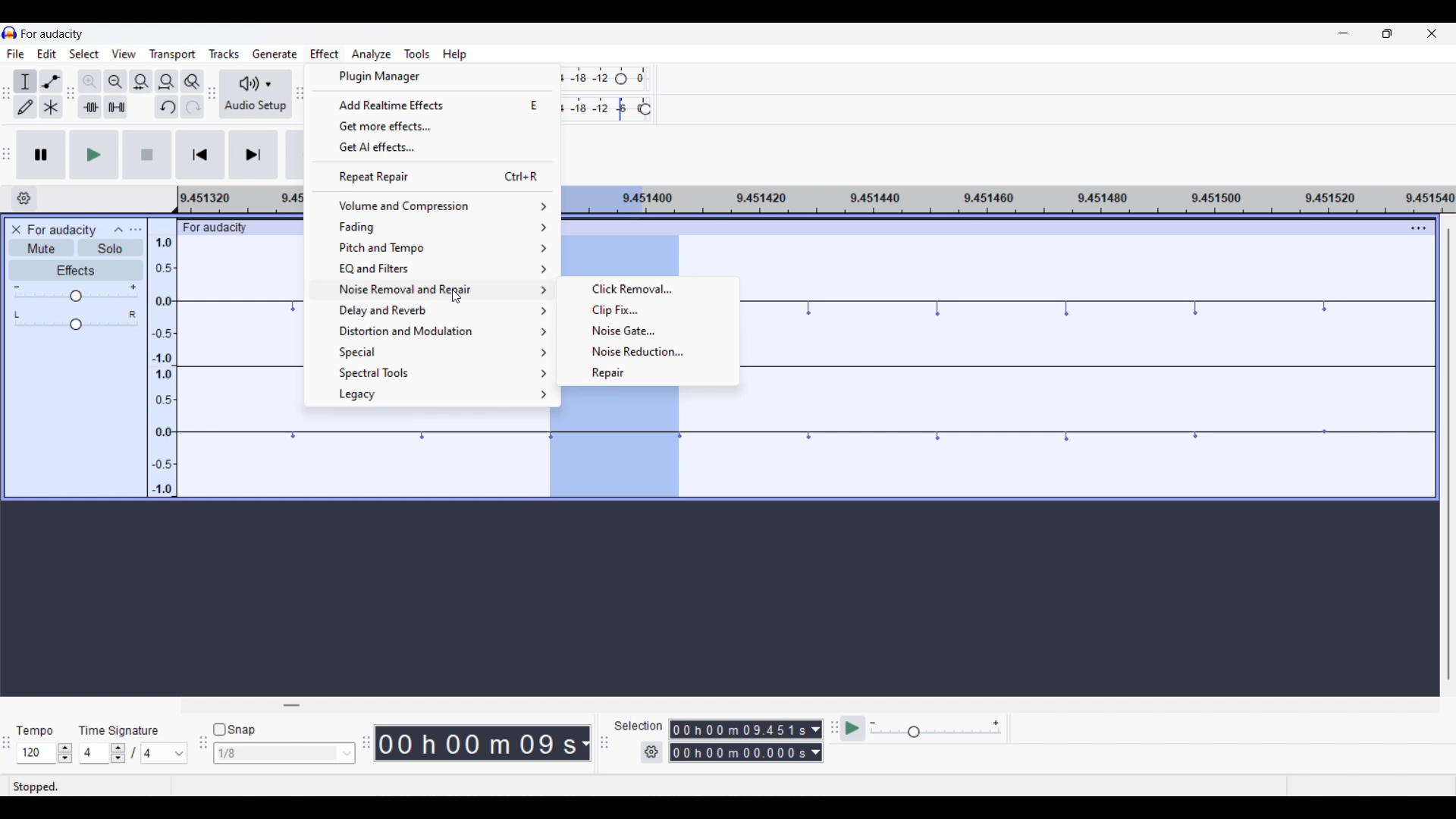 This screenshot has height=819, width=1456. What do you see at coordinates (853, 730) in the screenshot?
I see `Play at speed/Play at speed once` at bounding box center [853, 730].